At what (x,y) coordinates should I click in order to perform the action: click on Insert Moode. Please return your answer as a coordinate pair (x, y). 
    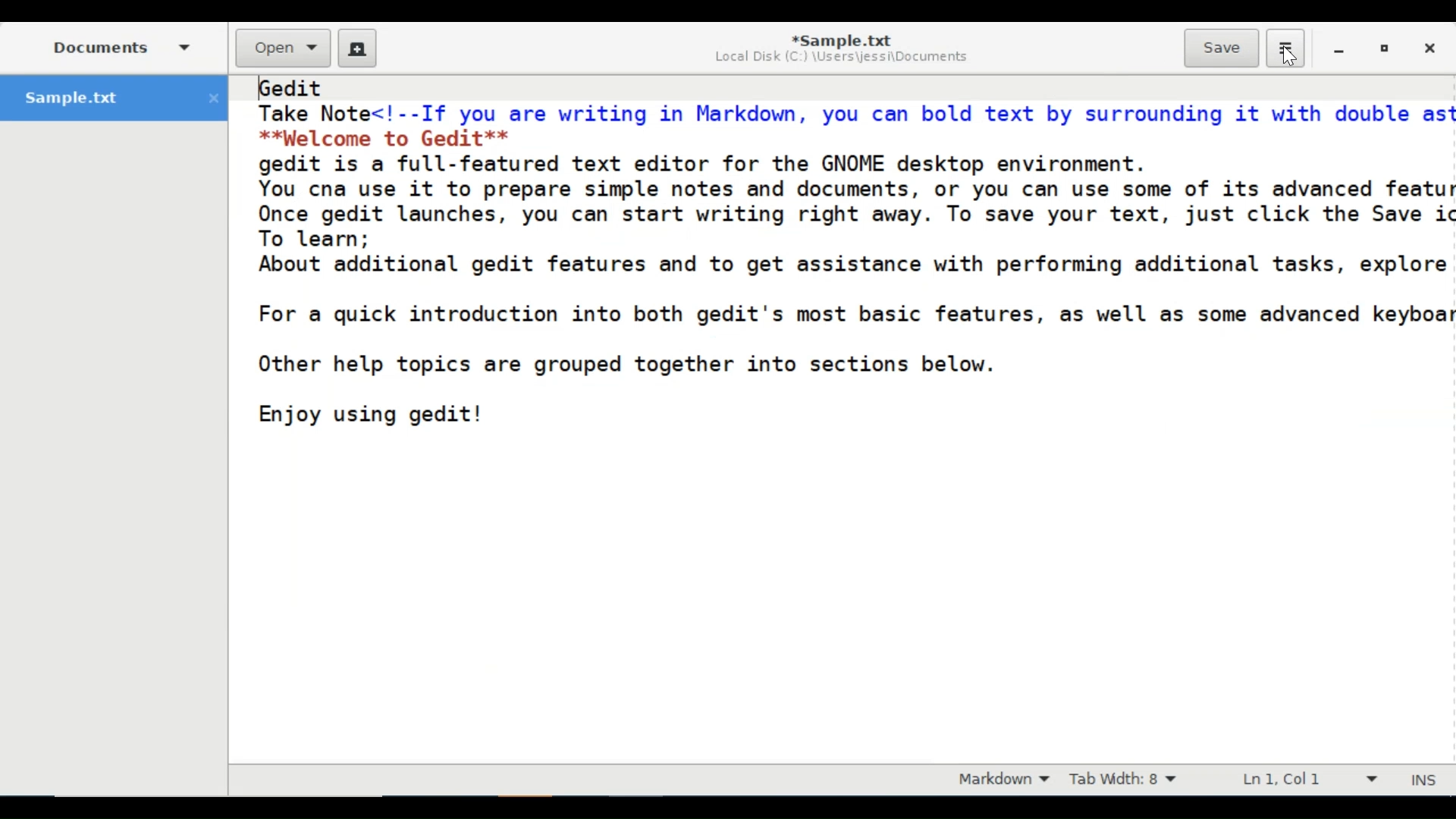
    Looking at the image, I should click on (1425, 780).